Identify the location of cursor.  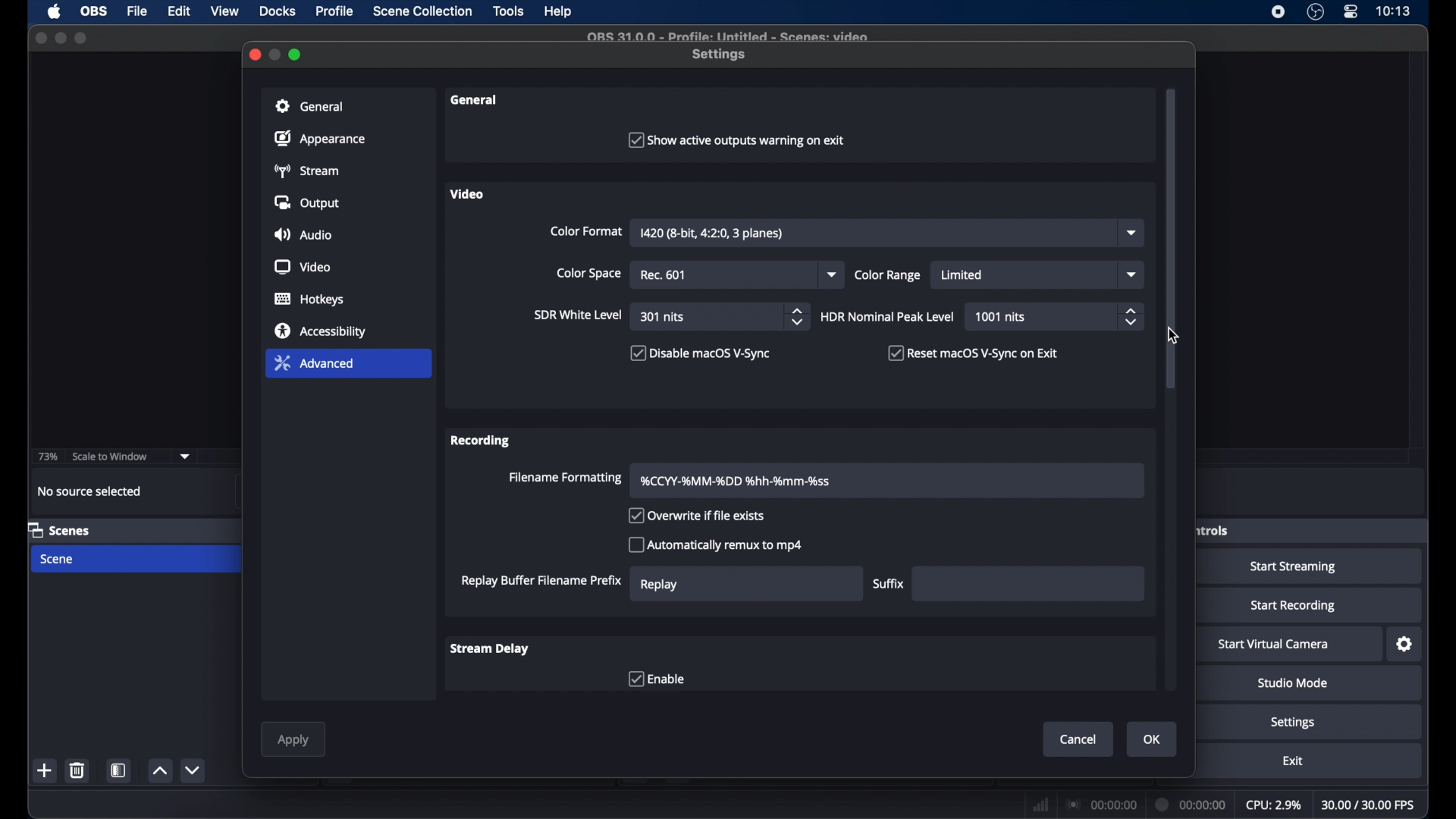
(1175, 337).